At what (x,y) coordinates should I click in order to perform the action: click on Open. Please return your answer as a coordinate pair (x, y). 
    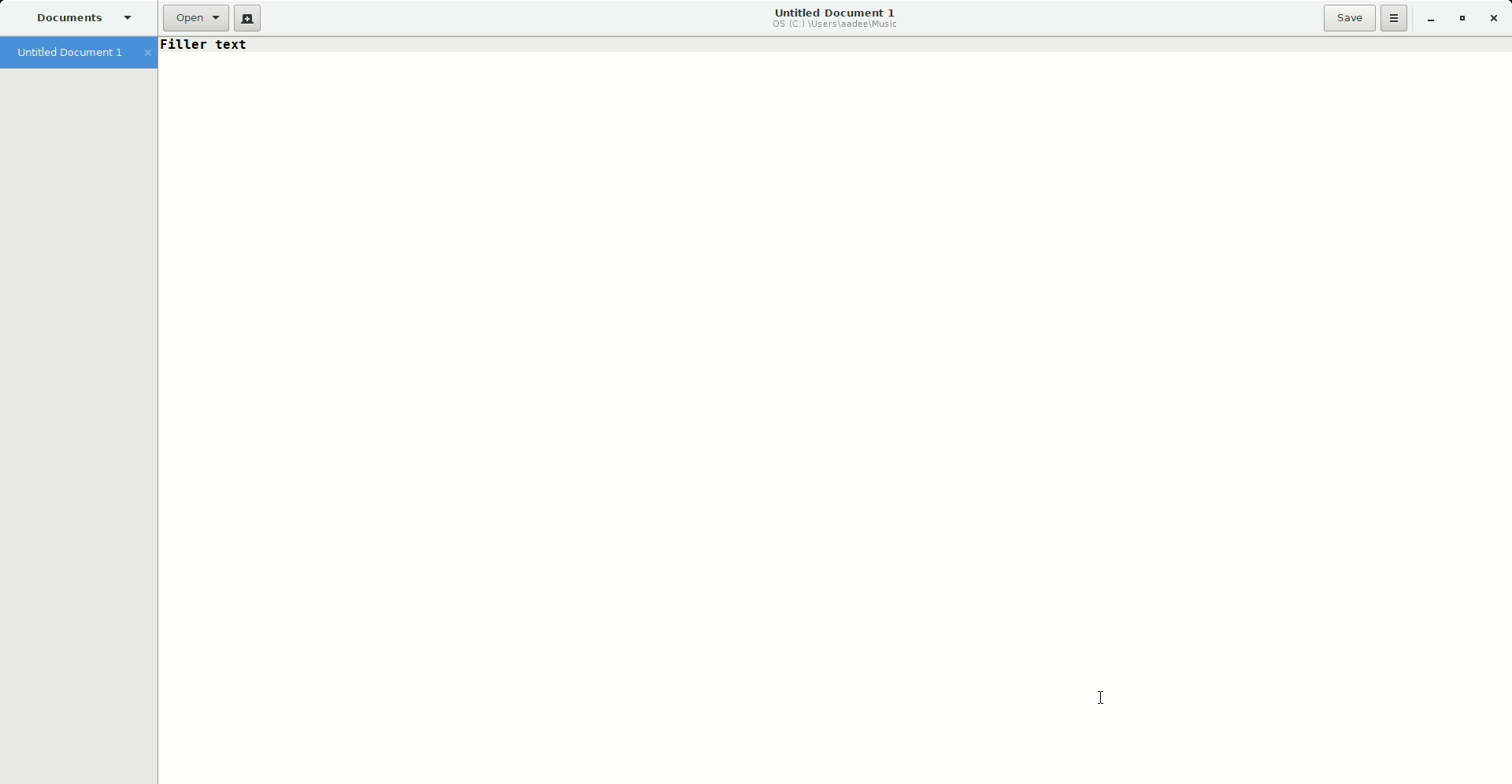
    Looking at the image, I should click on (195, 20).